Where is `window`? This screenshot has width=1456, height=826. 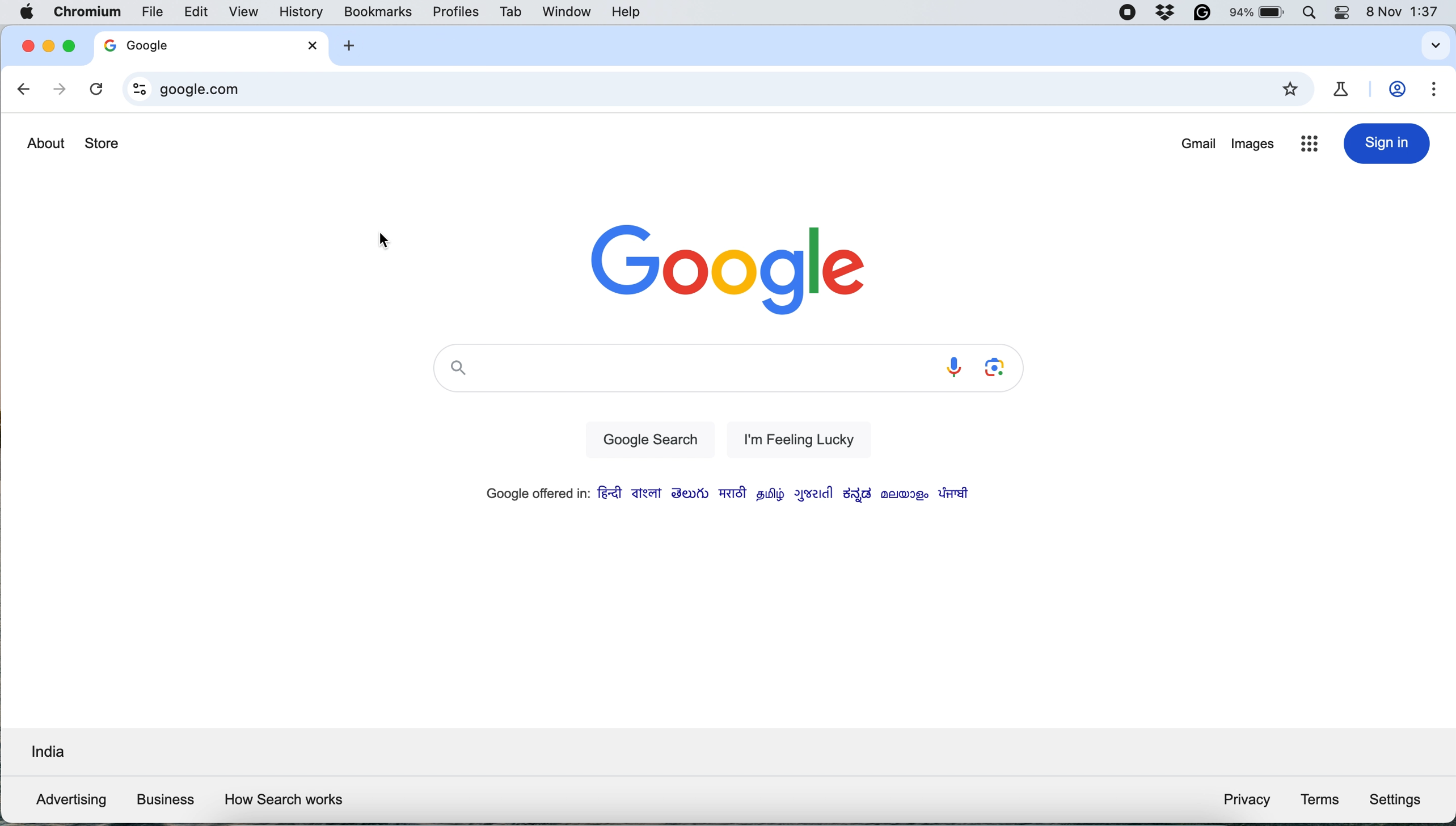
window is located at coordinates (564, 11).